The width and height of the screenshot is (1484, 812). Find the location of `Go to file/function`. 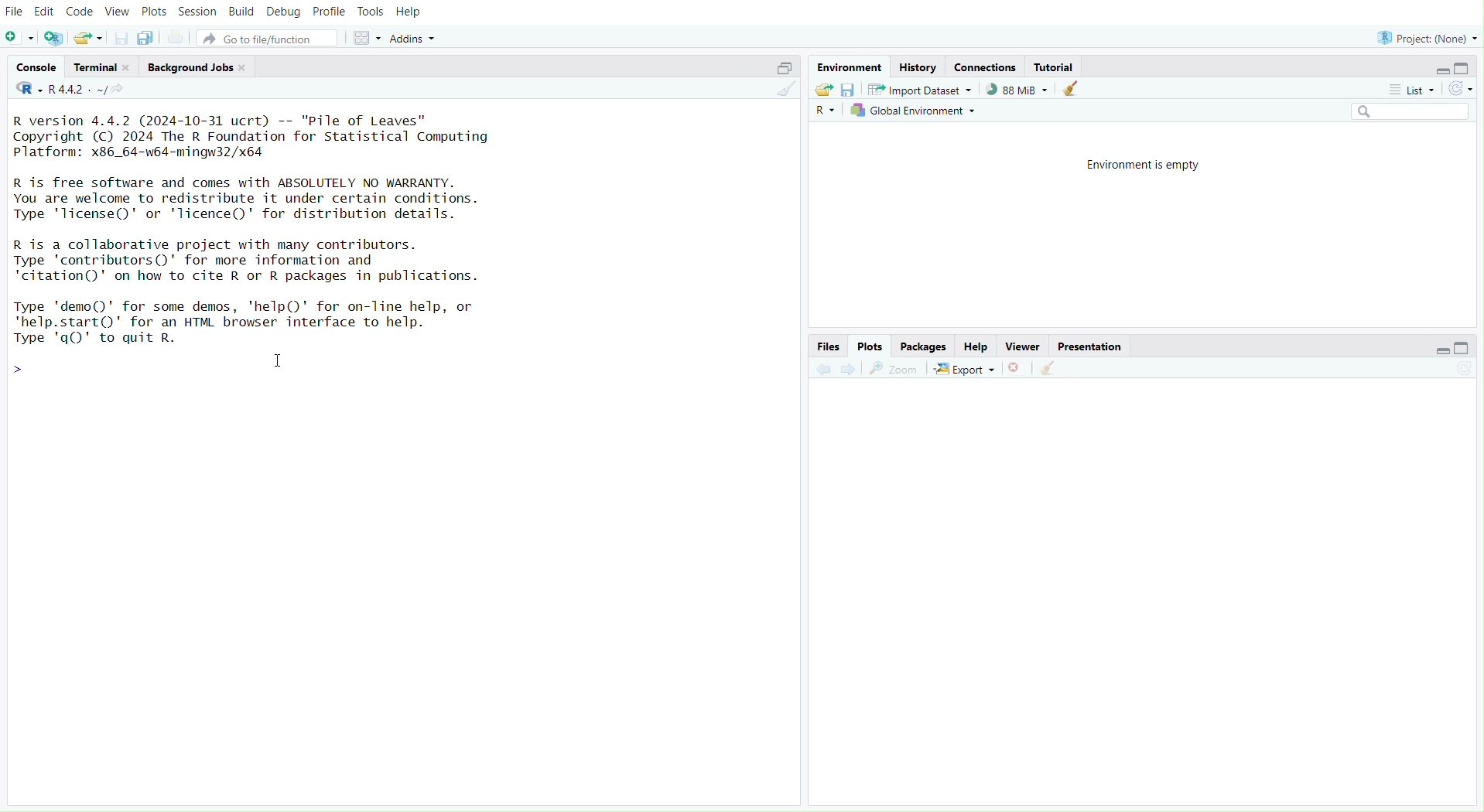

Go to file/function is located at coordinates (267, 38).